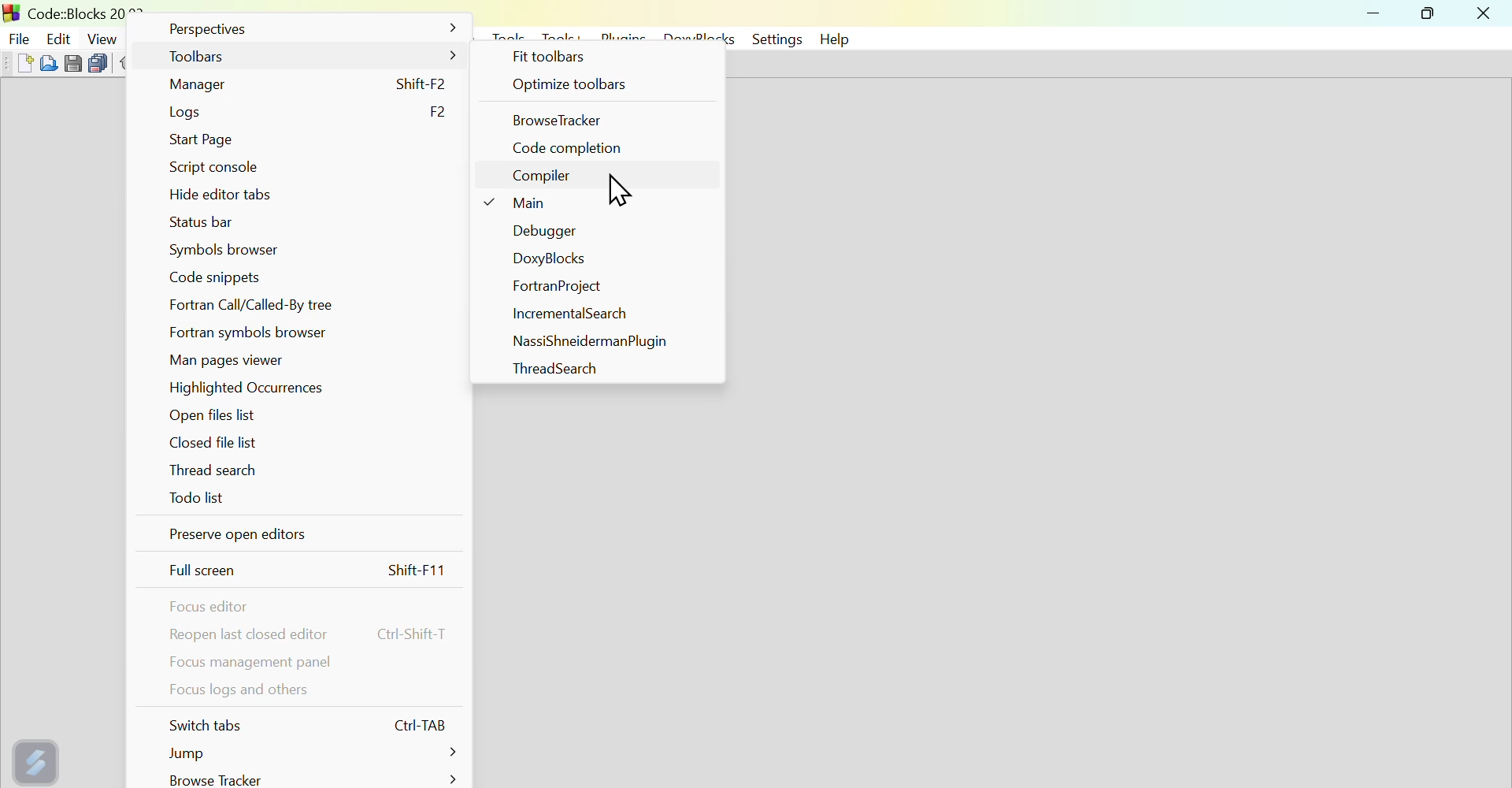 The width and height of the screenshot is (1512, 788). I want to click on Open, so click(46, 62).